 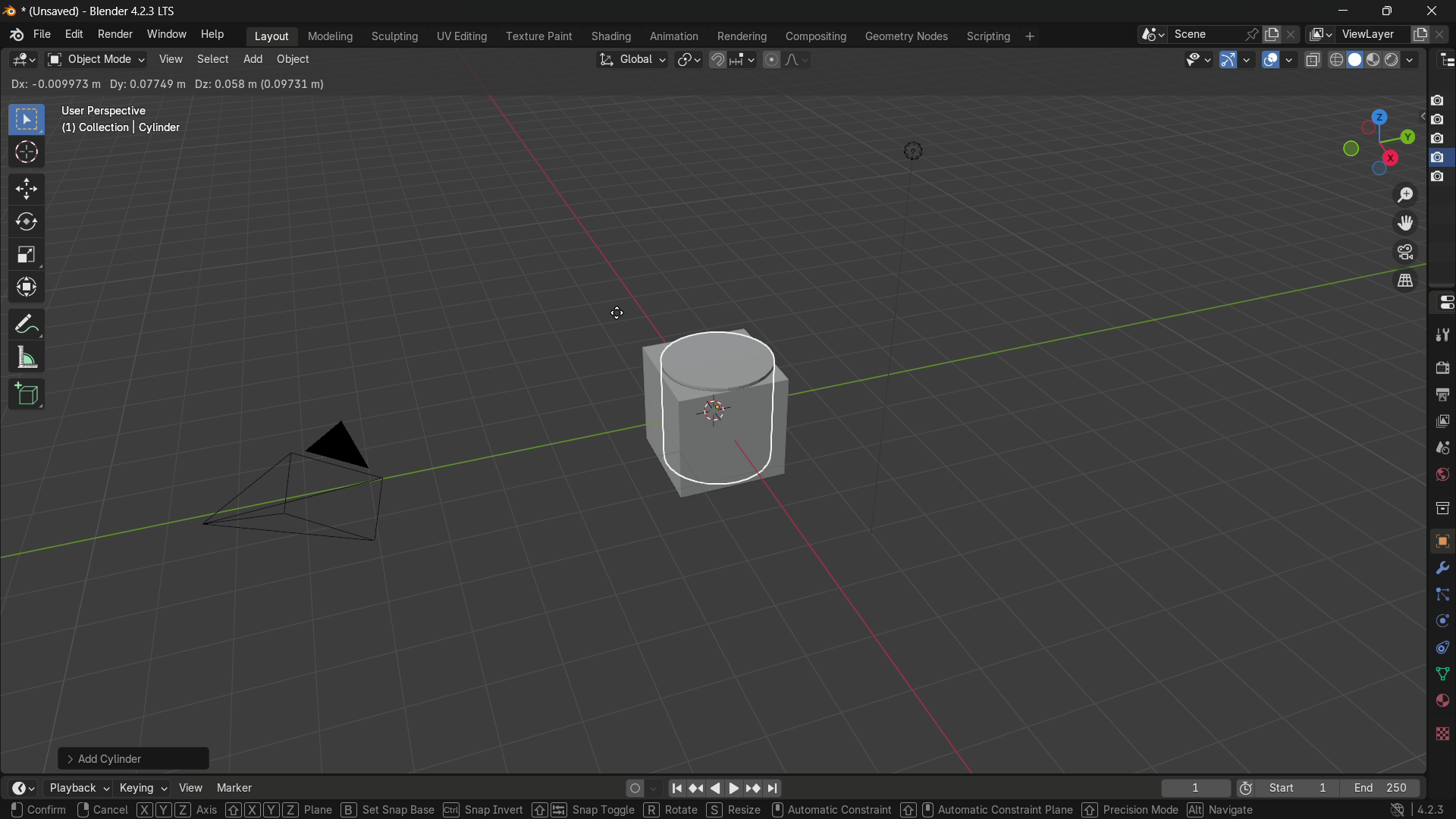 I want to click on transparencies, so click(x=1441, y=735).